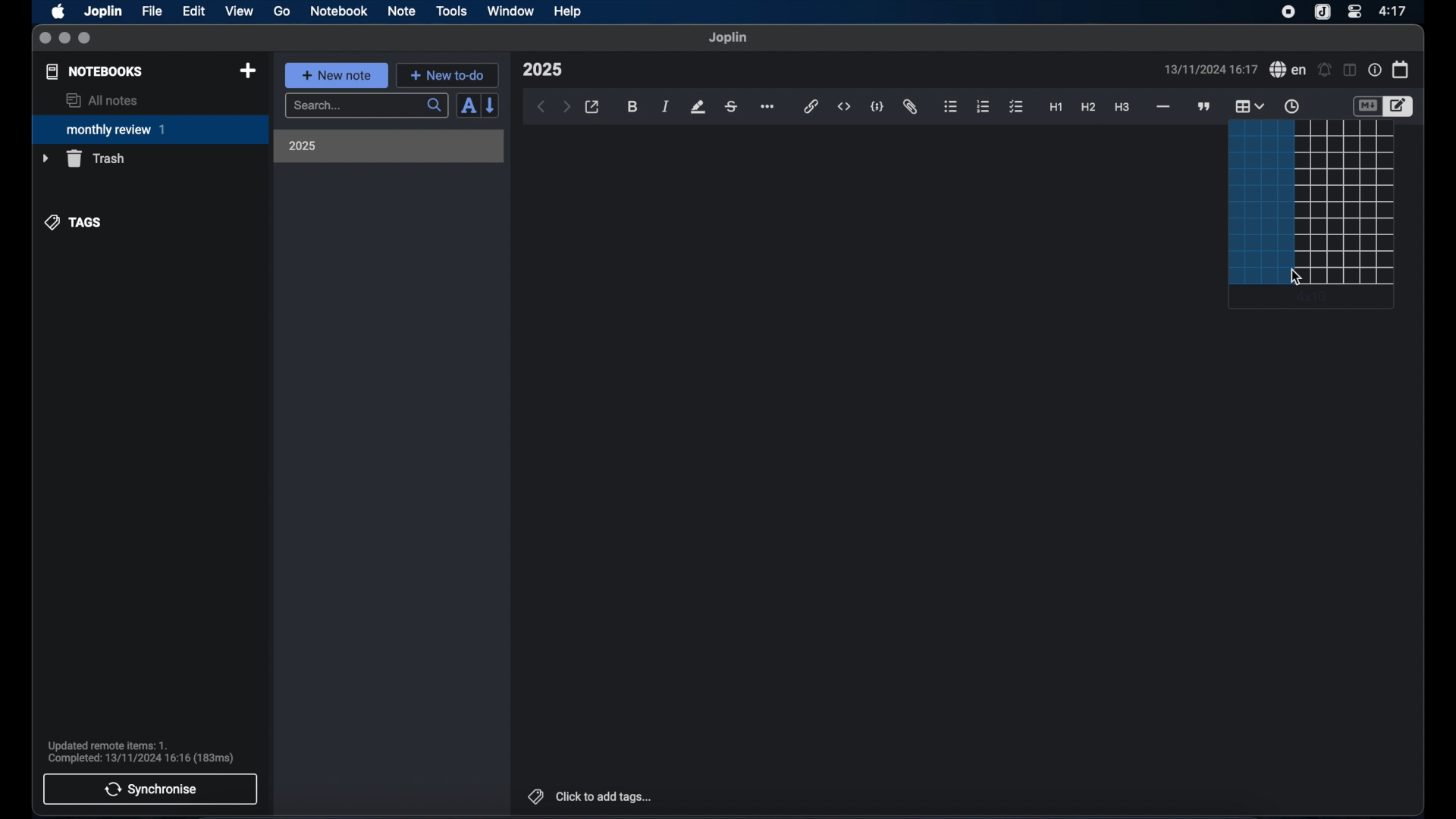 Image resolution: width=1456 pixels, height=819 pixels. Describe the element at coordinates (1288, 12) in the screenshot. I see `screen recorder icon` at that location.